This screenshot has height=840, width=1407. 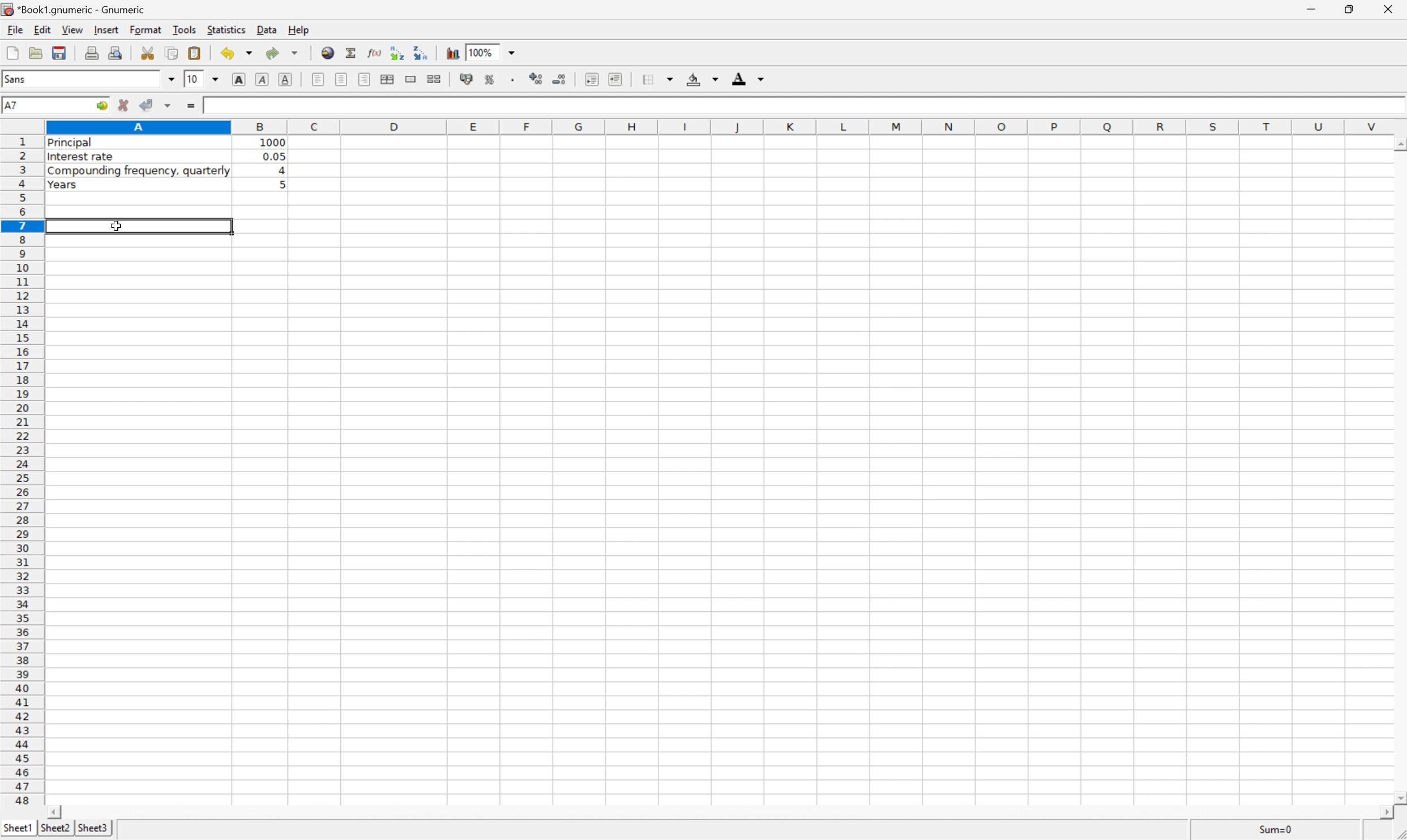 I want to click on italic, so click(x=261, y=80).